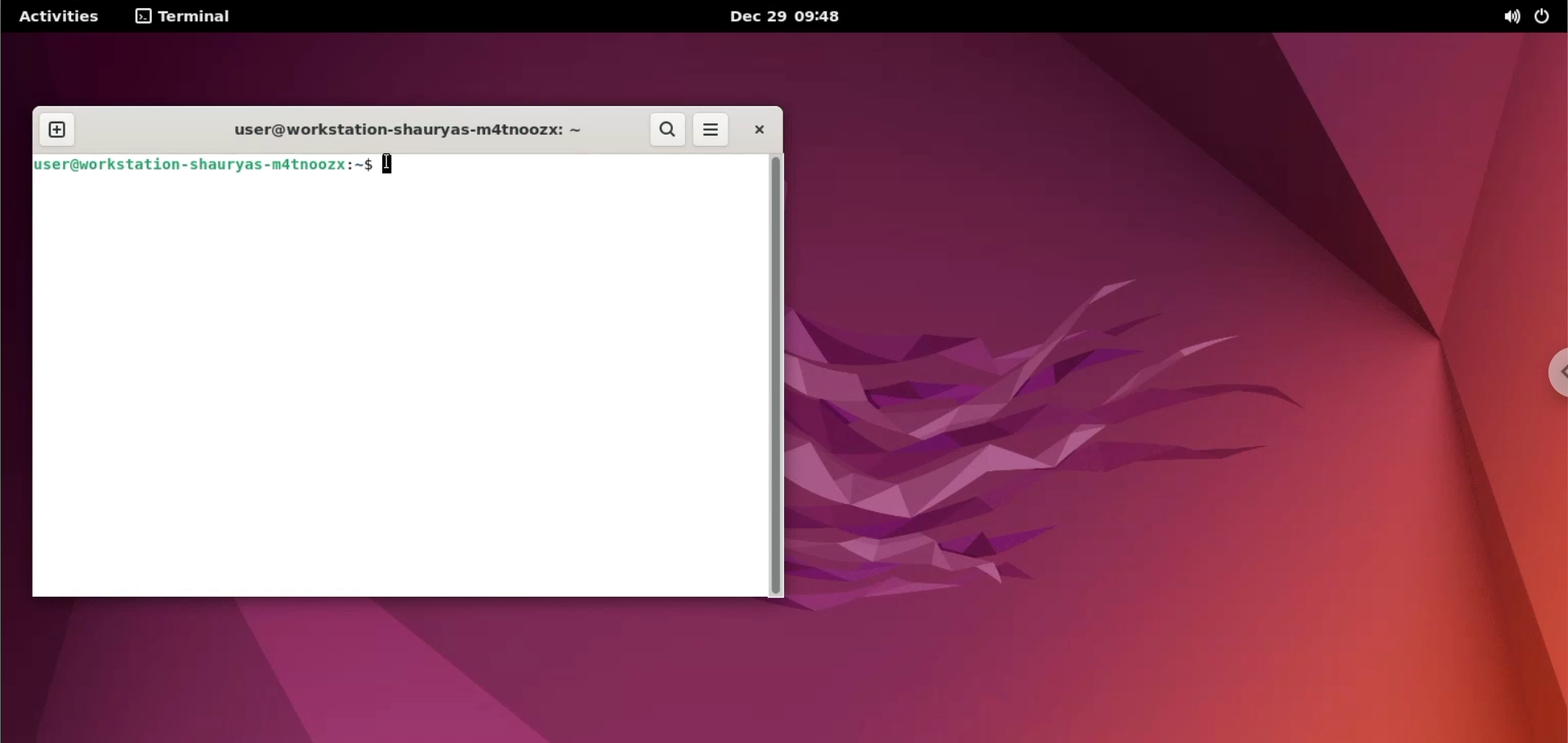 This screenshot has width=1568, height=743. Describe the element at coordinates (1511, 18) in the screenshot. I see `sound option` at that location.